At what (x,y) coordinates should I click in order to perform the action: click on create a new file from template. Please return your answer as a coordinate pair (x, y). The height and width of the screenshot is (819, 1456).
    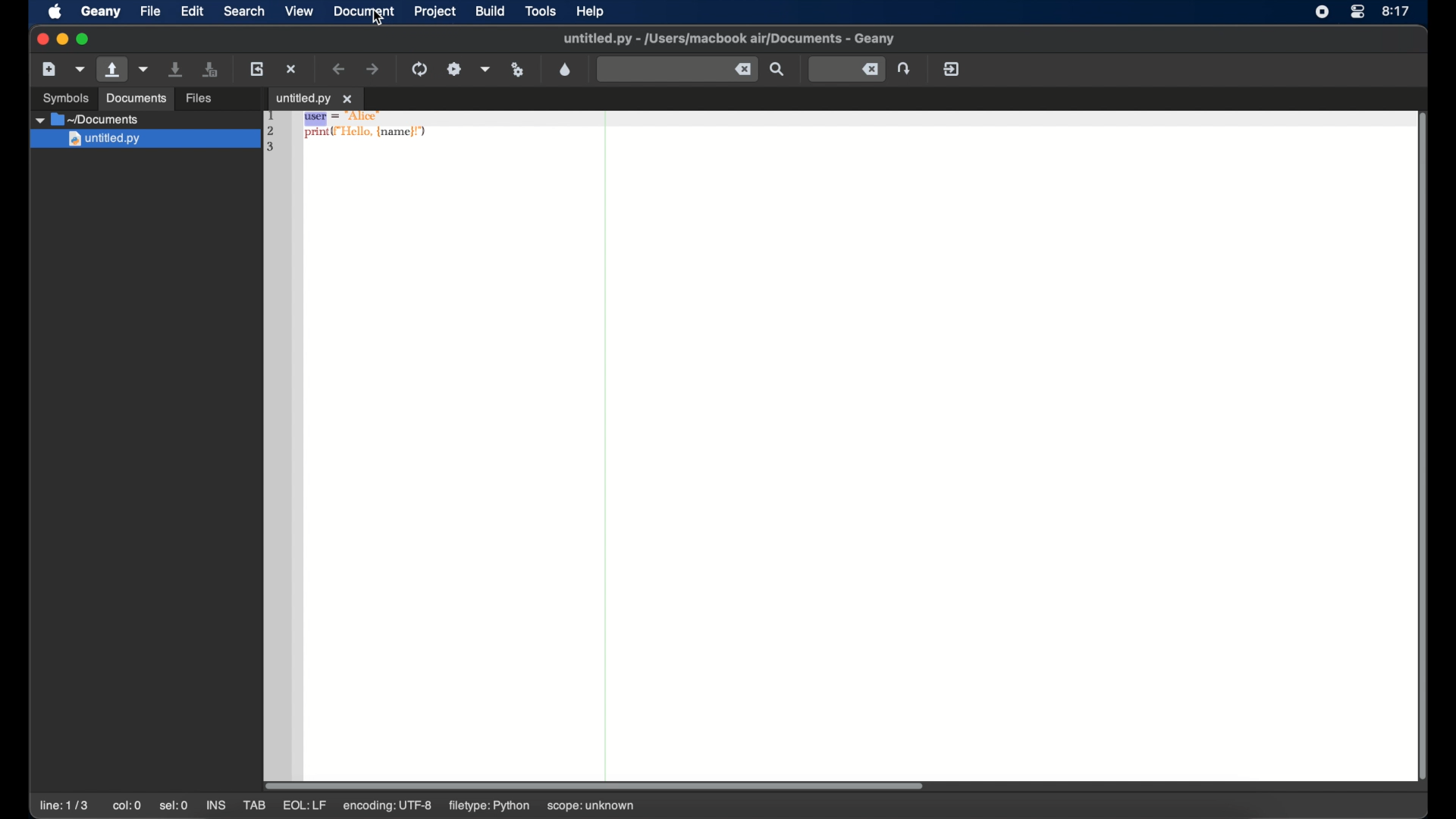
    Looking at the image, I should click on (80, 70).